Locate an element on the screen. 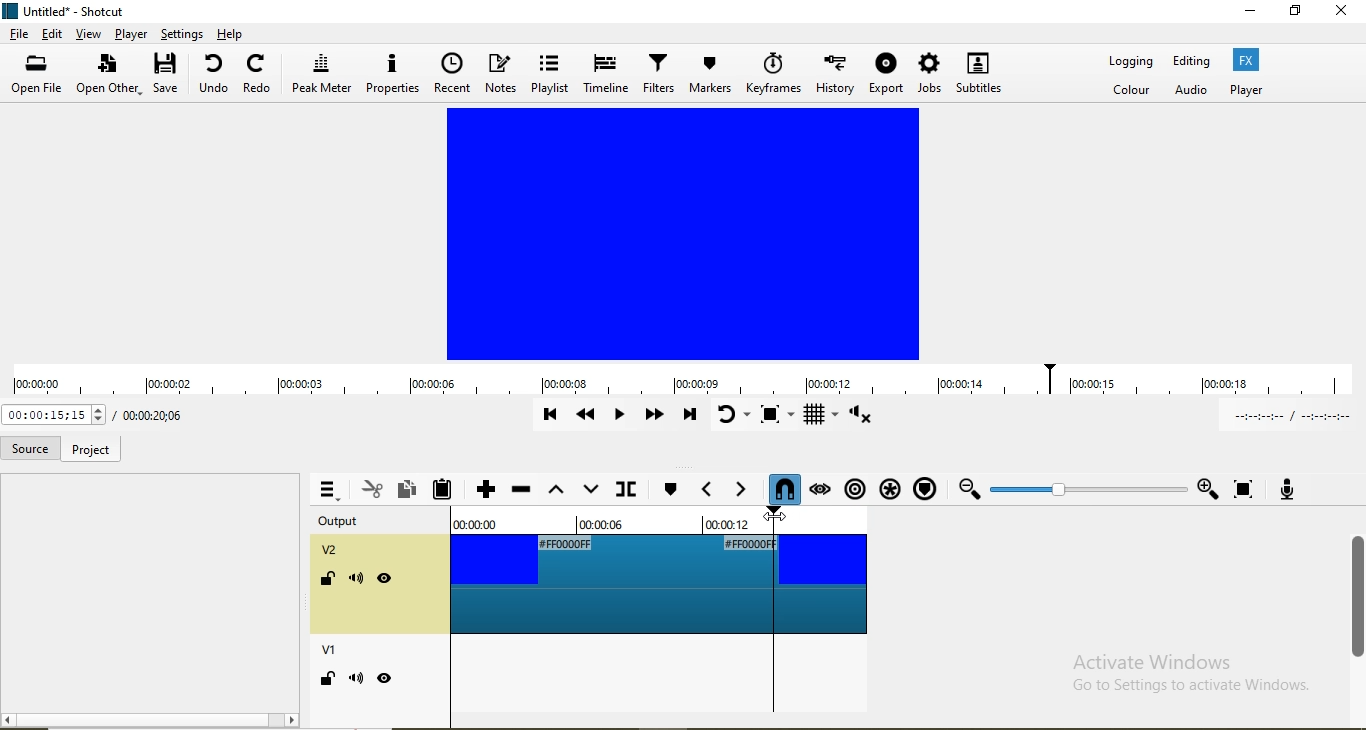  hide is located at coordinates (386, 678).